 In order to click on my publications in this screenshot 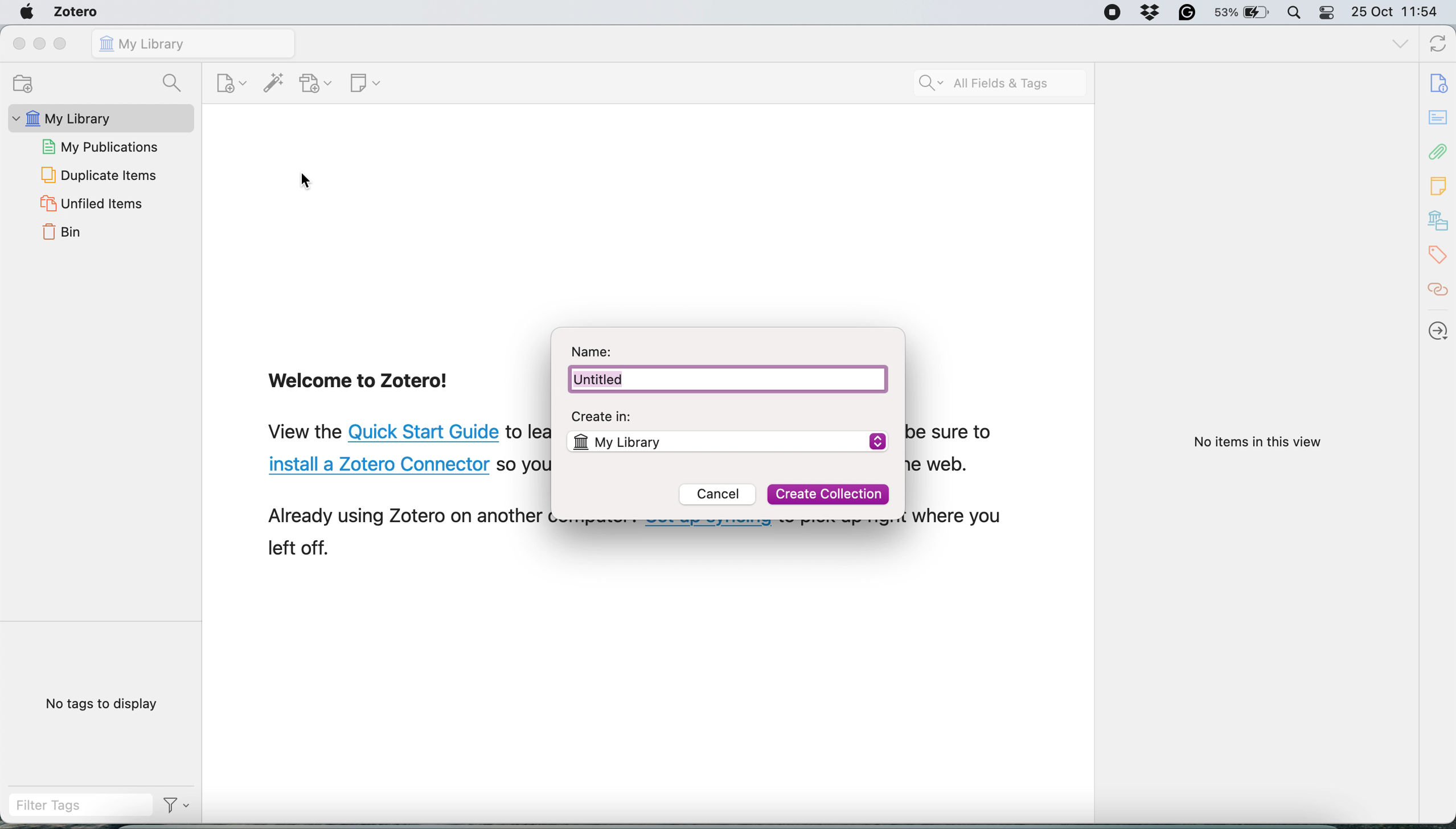, I will do `click(103, 145)`.